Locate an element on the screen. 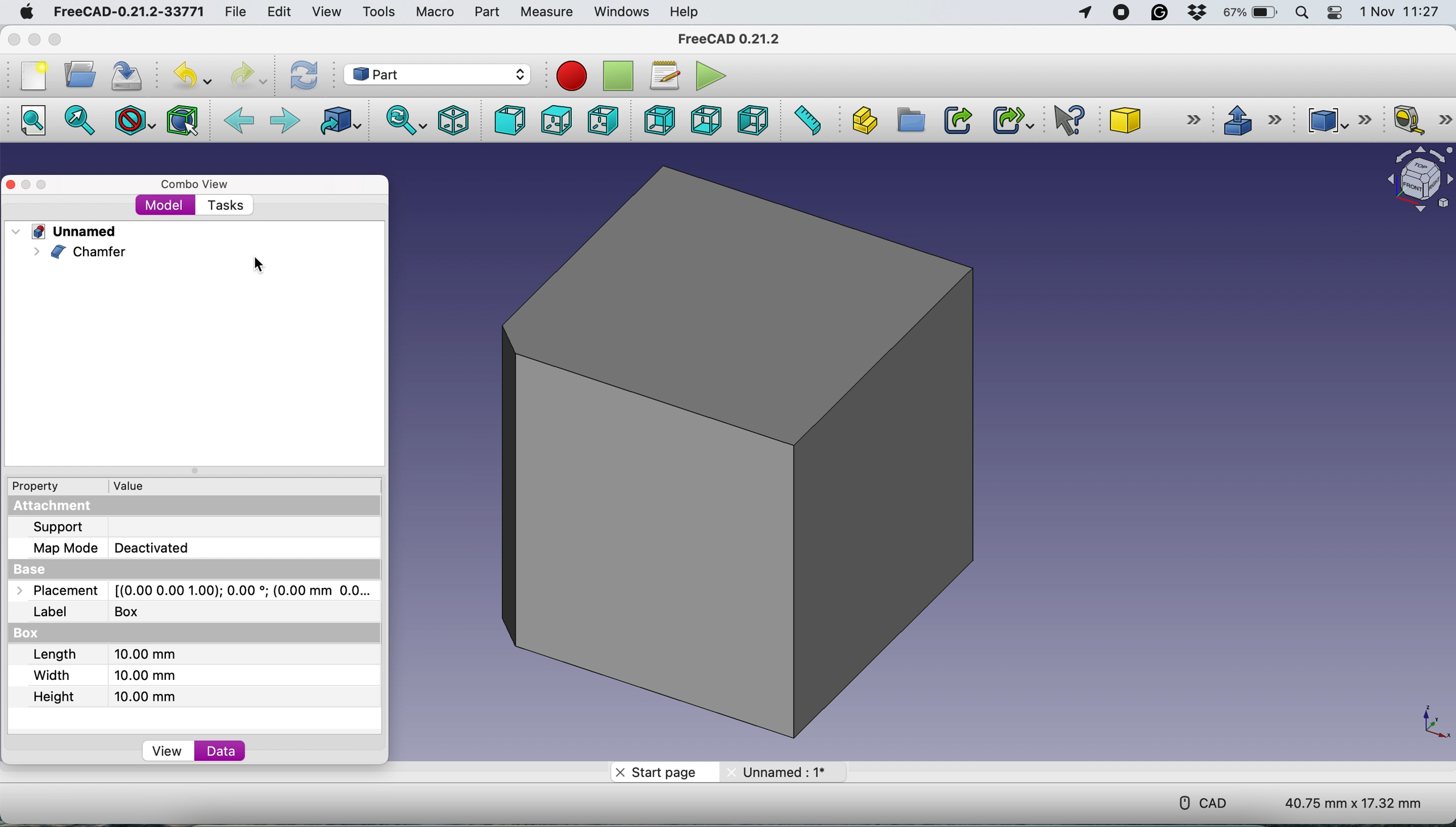 The height and width of the screenshot is (827, 1456). label  is located at coordinates (82, 610).